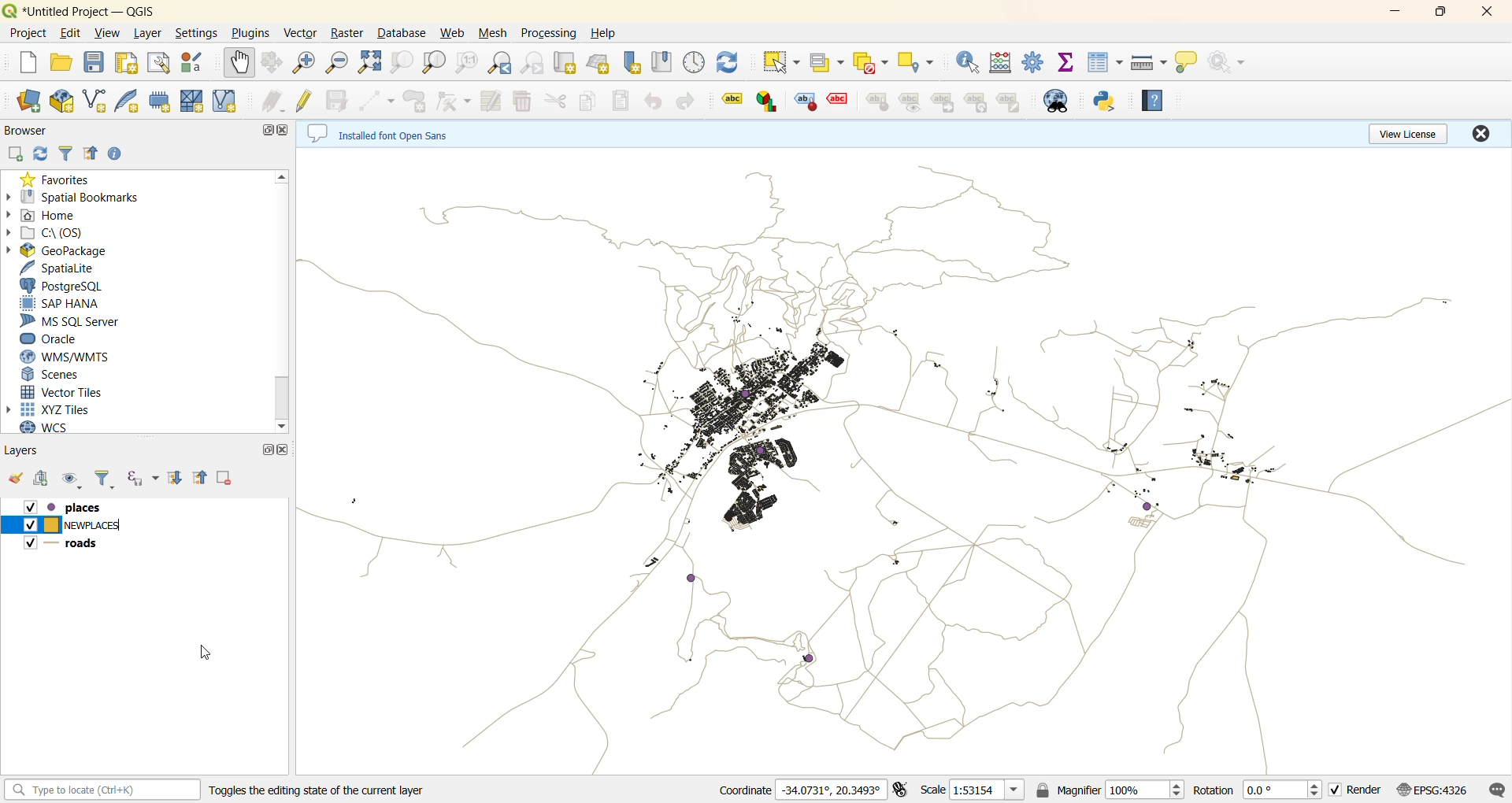  What do you see at coordinates (64, 65) in the screenshot?
I see `open` at bounding box center [64, 65].